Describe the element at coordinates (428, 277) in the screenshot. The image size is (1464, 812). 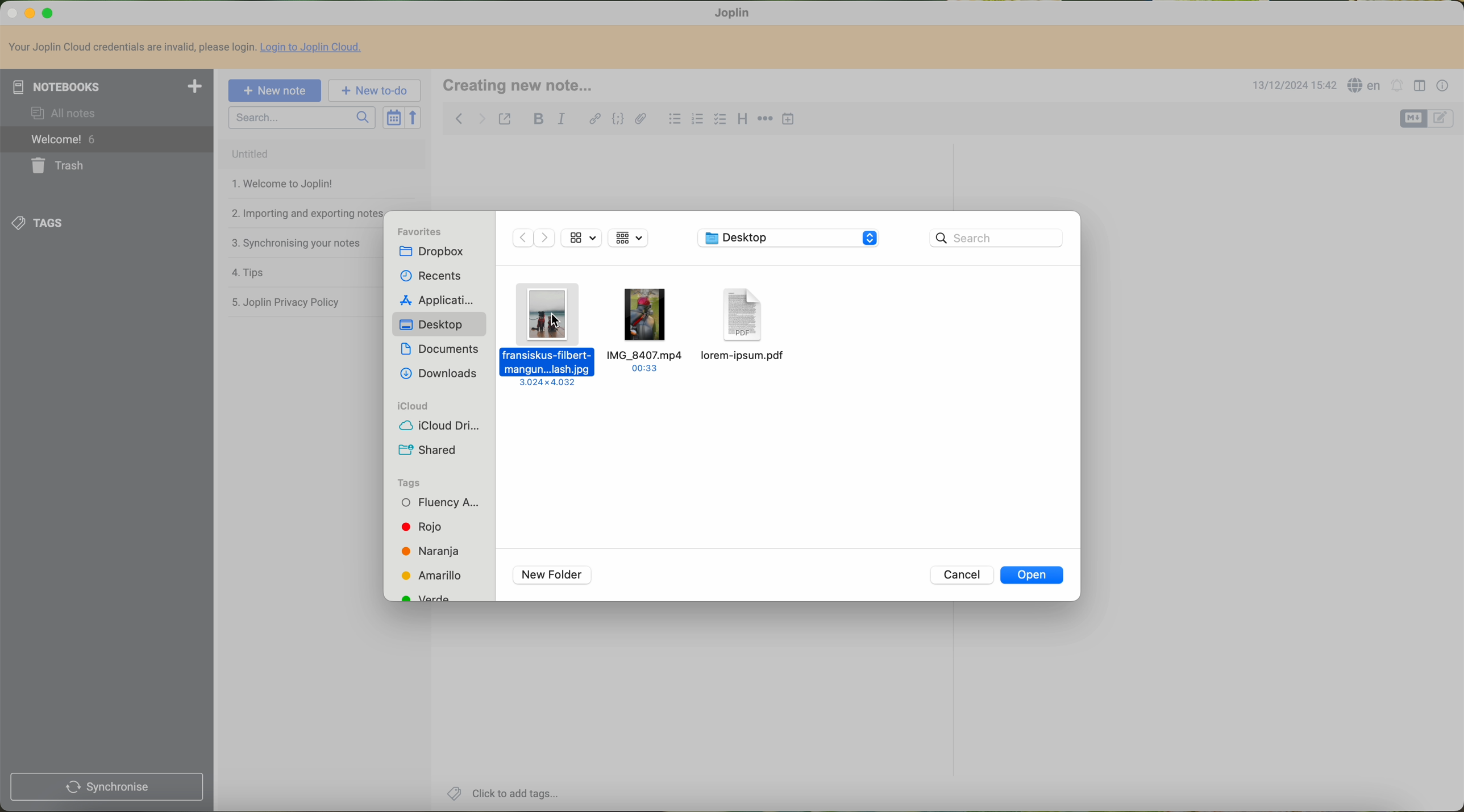
I see `recents` at that location.